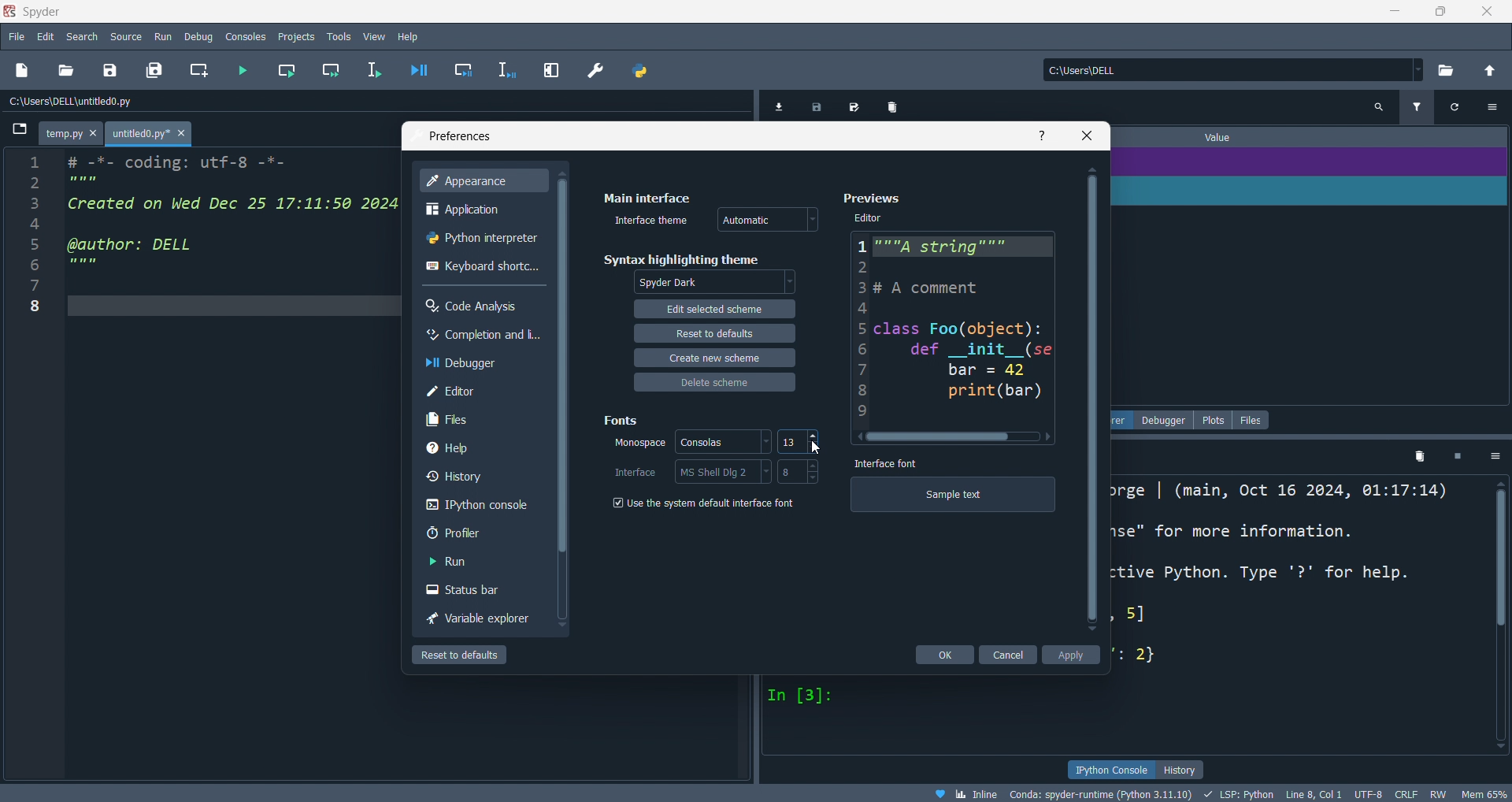 The width and height of the screenshot is (1512, 802). Describe the element at coordinates (891, 103) in the screenshot. I see `delete variables` at that location.